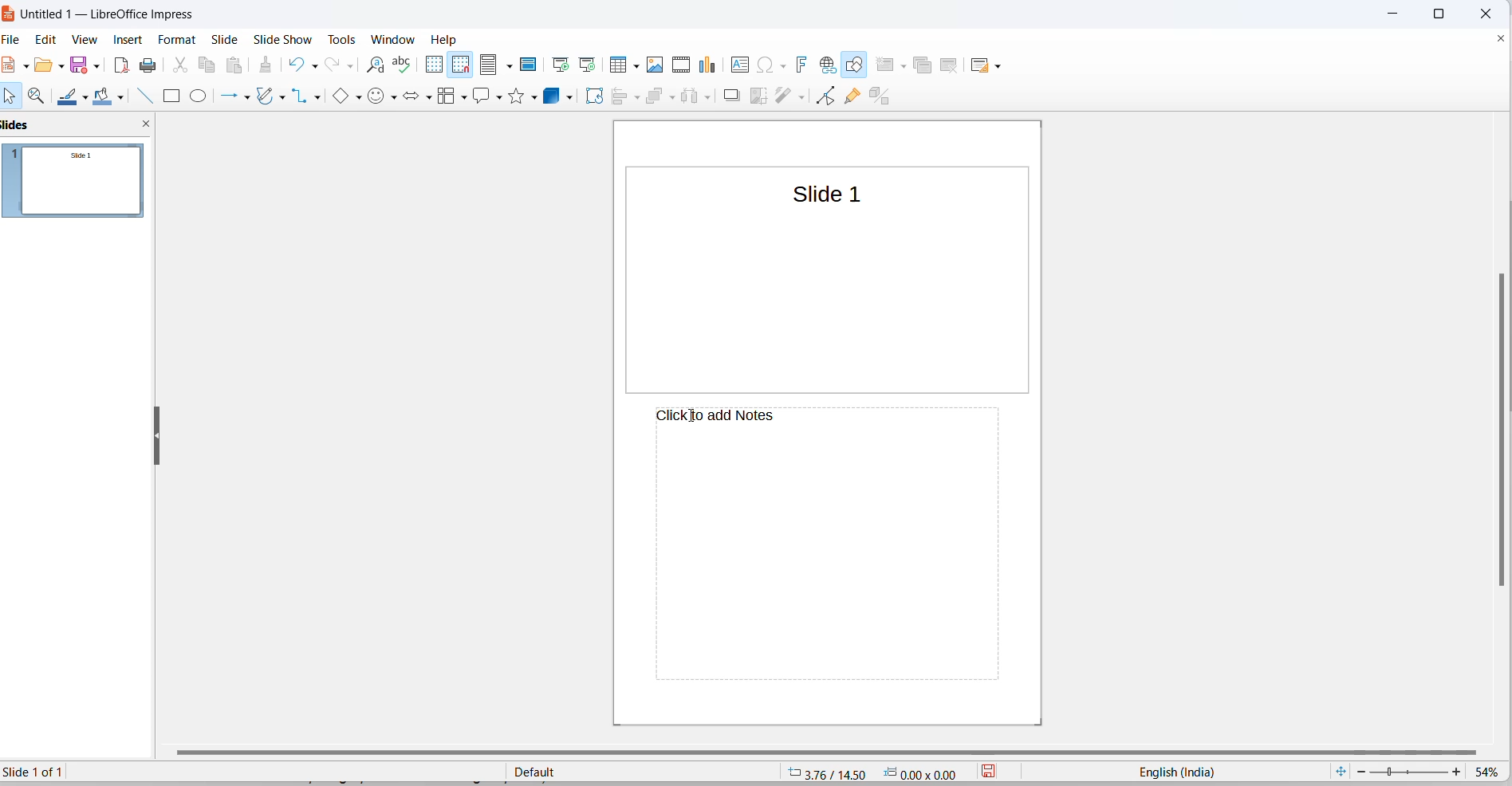  I want to click on stars, so click(522, 95).